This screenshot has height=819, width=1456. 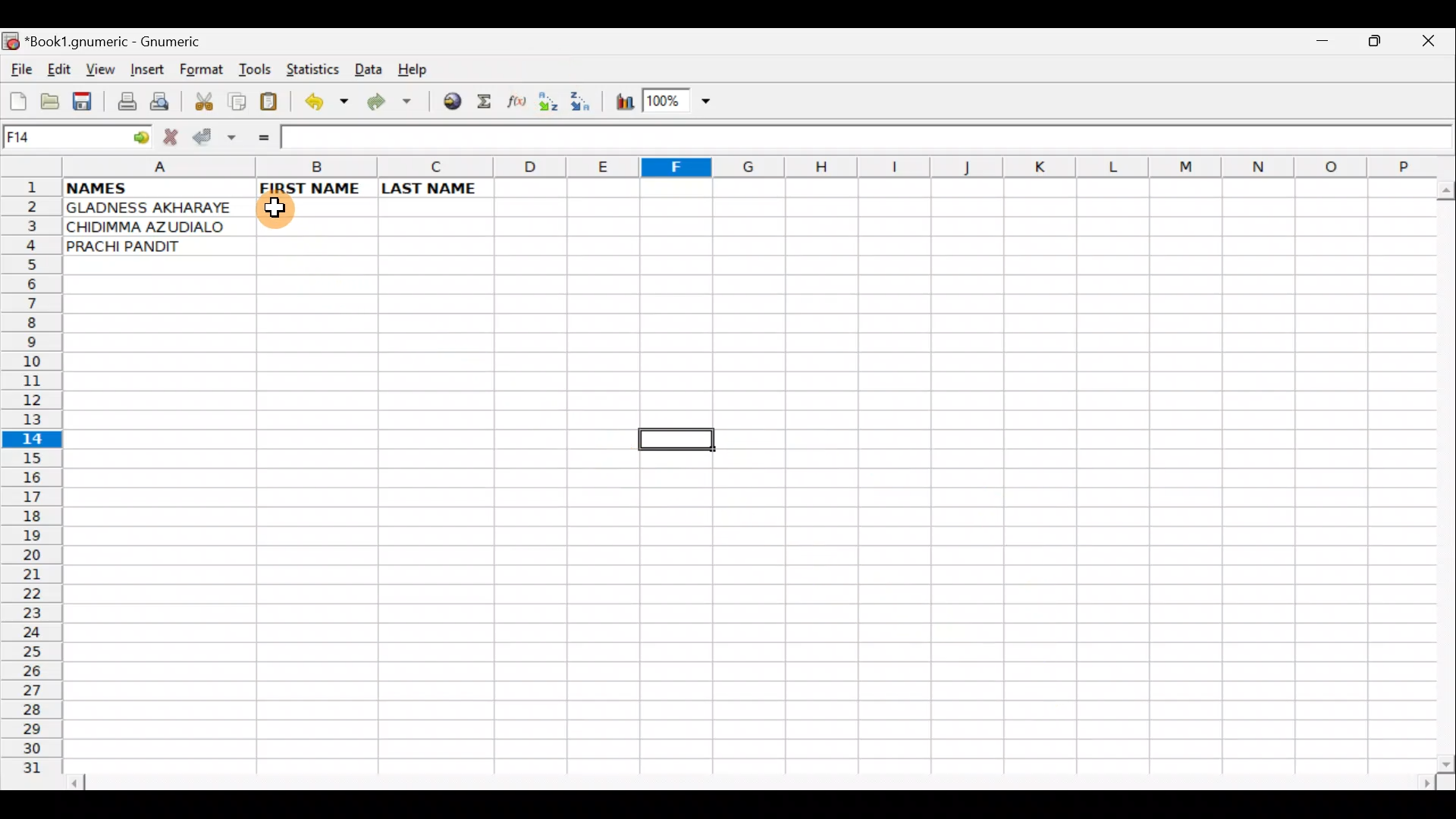 What do you see at coordinates (317, 188) in the screenshot?
I see `FIRST NAME` at bounding box center [317, 188].